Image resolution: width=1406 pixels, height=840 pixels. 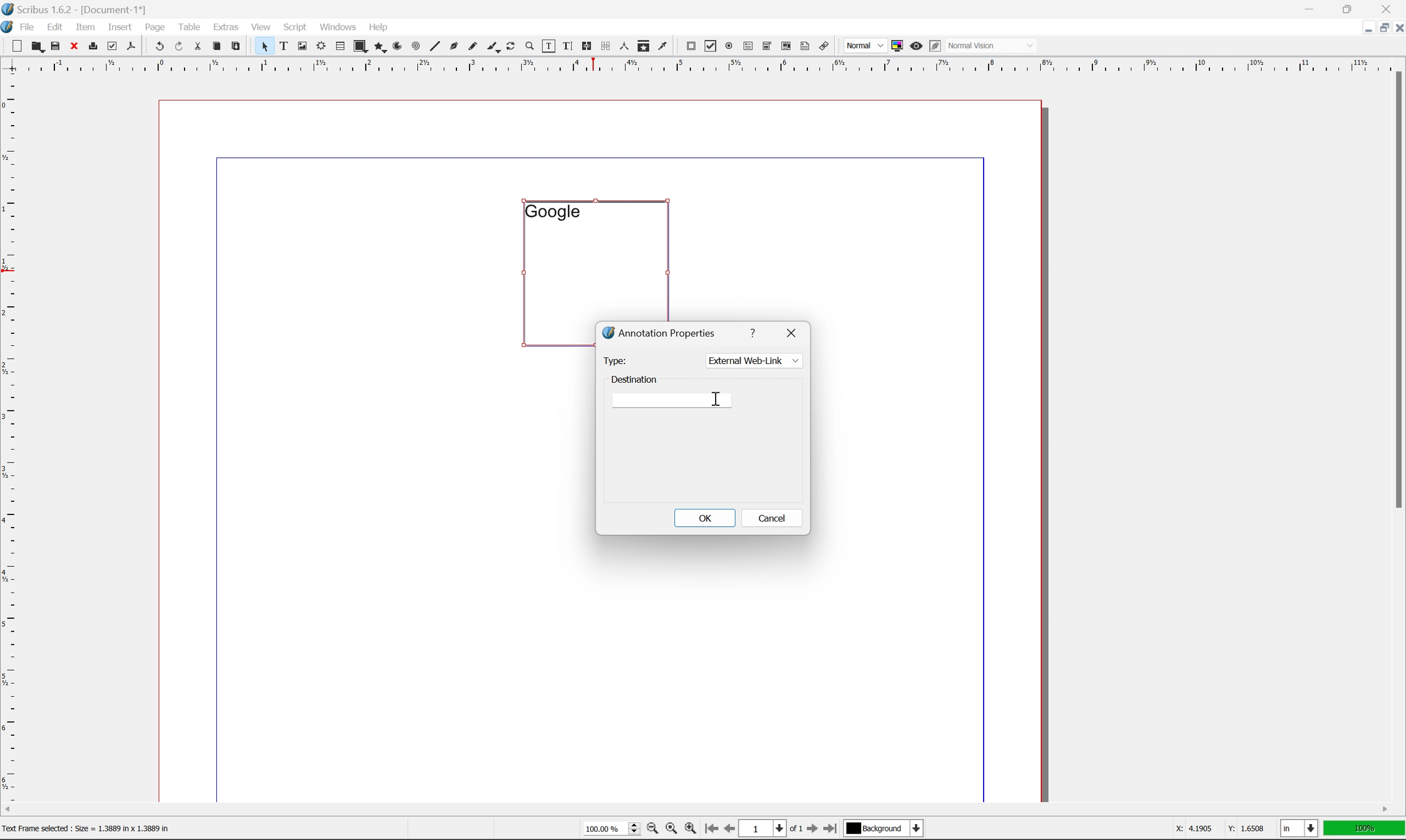 What do you see at coordinates (770, 830) in the screenshot?
I see `select current page` at bounding box center [770, 830].